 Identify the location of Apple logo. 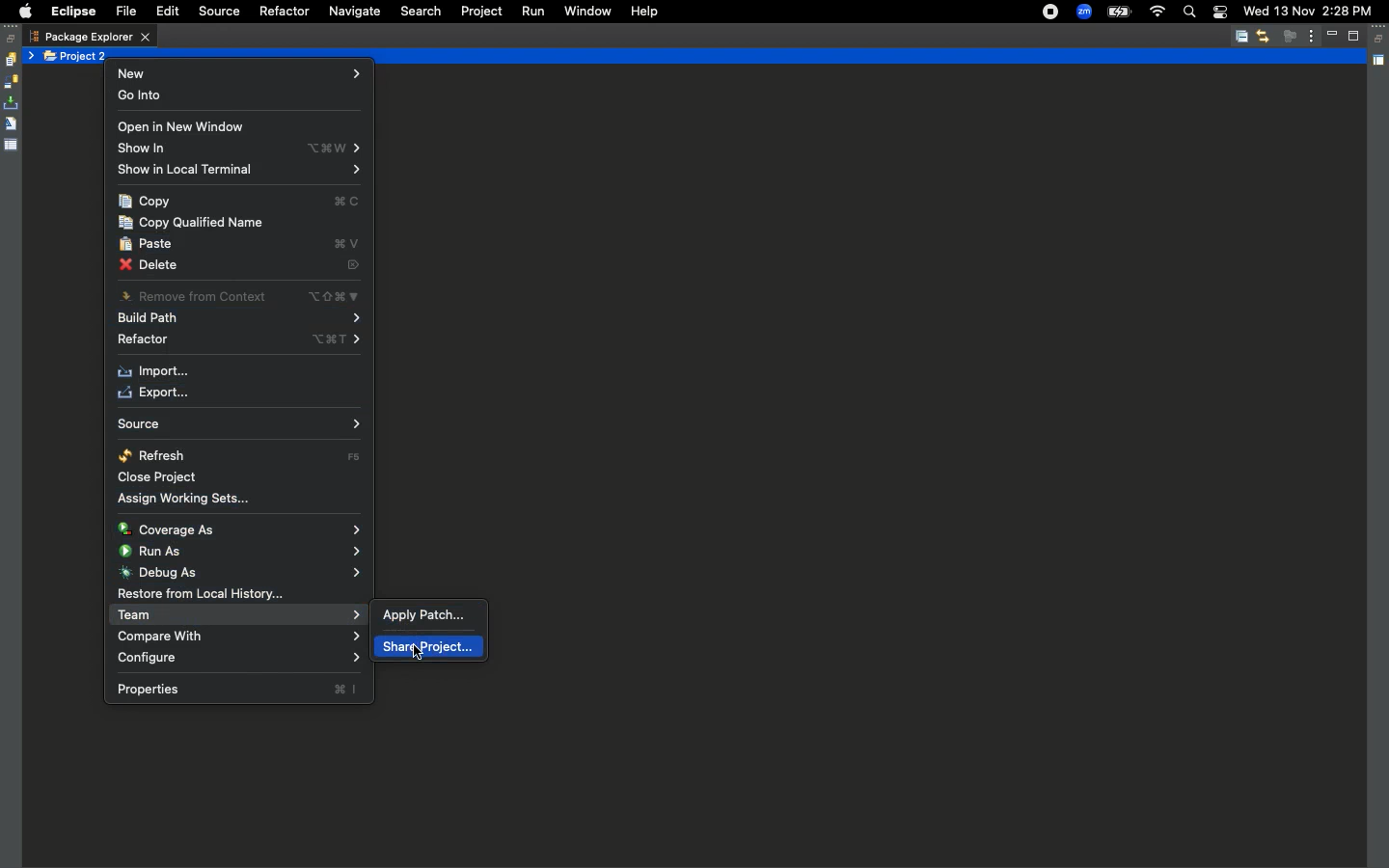
(22, 12).